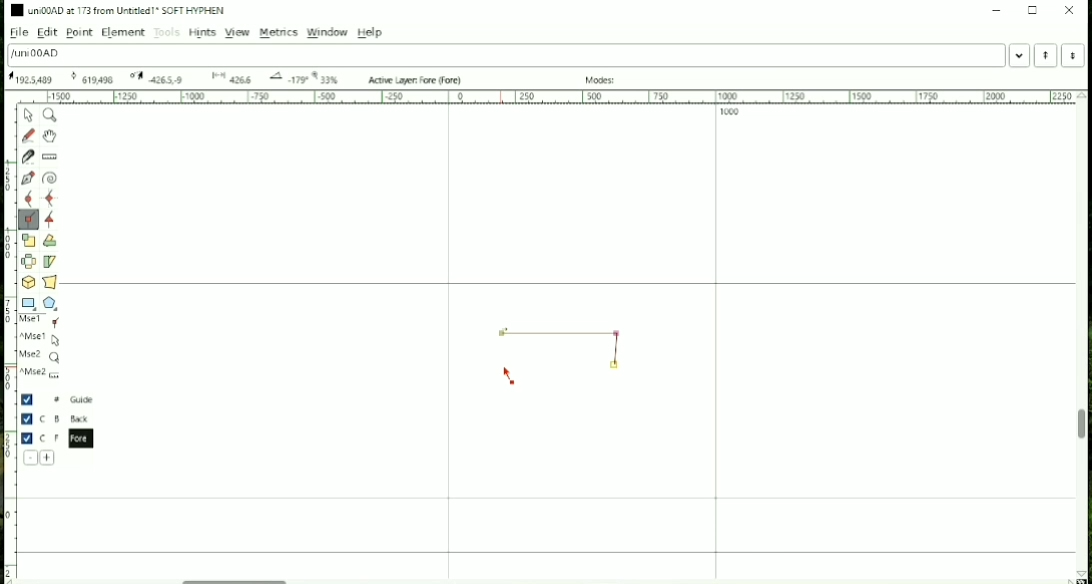 This screenshot has height=584, width=1092. What do you see at coordinates (91, 79) in the screenshot?
I see `173 Oxad U+00AD "uni00AD" SOFT HYPHEN` at bounding box center [91, 79].